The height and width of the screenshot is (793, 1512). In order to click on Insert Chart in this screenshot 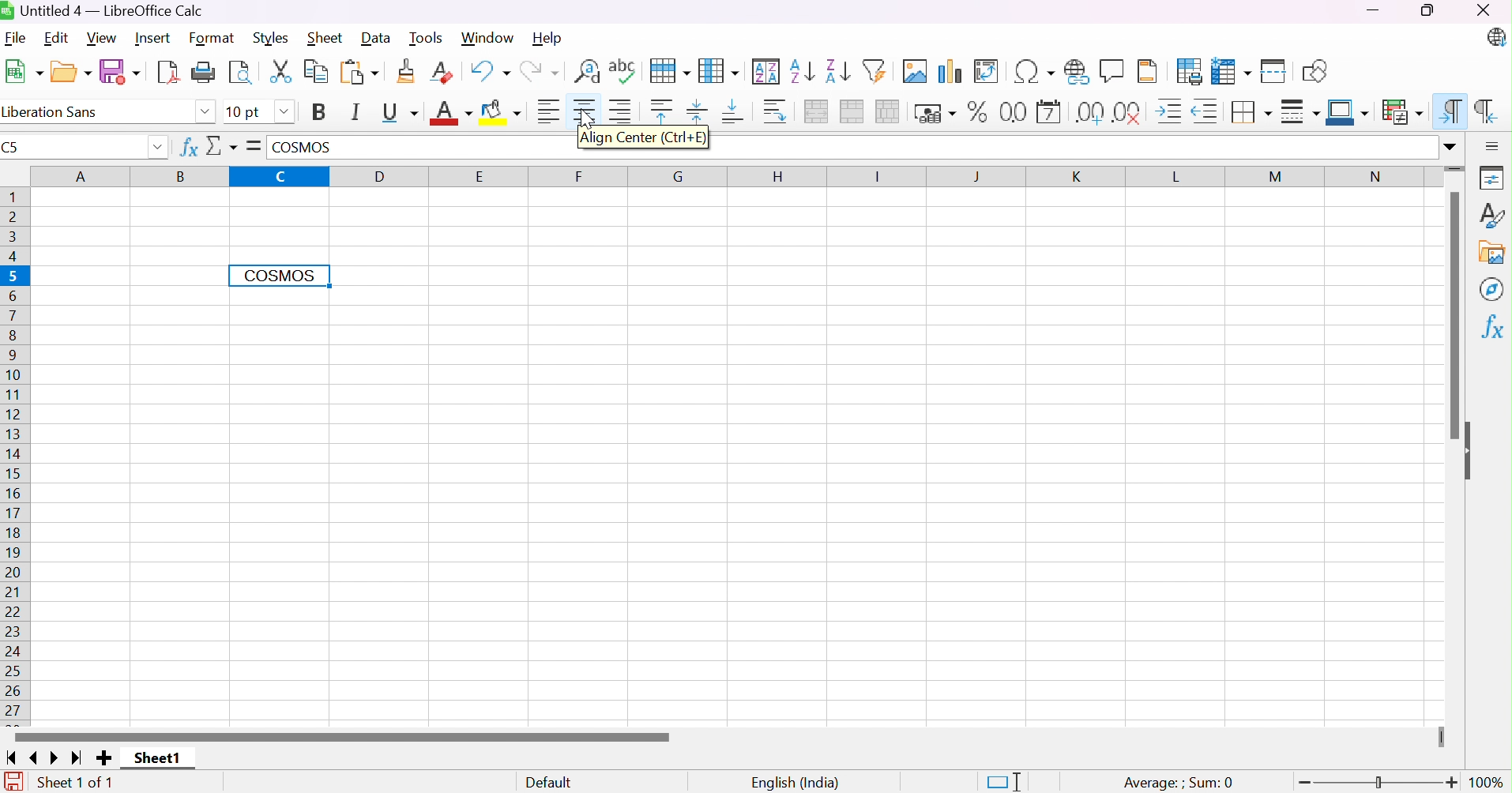, I will do `click(950, 71)`.